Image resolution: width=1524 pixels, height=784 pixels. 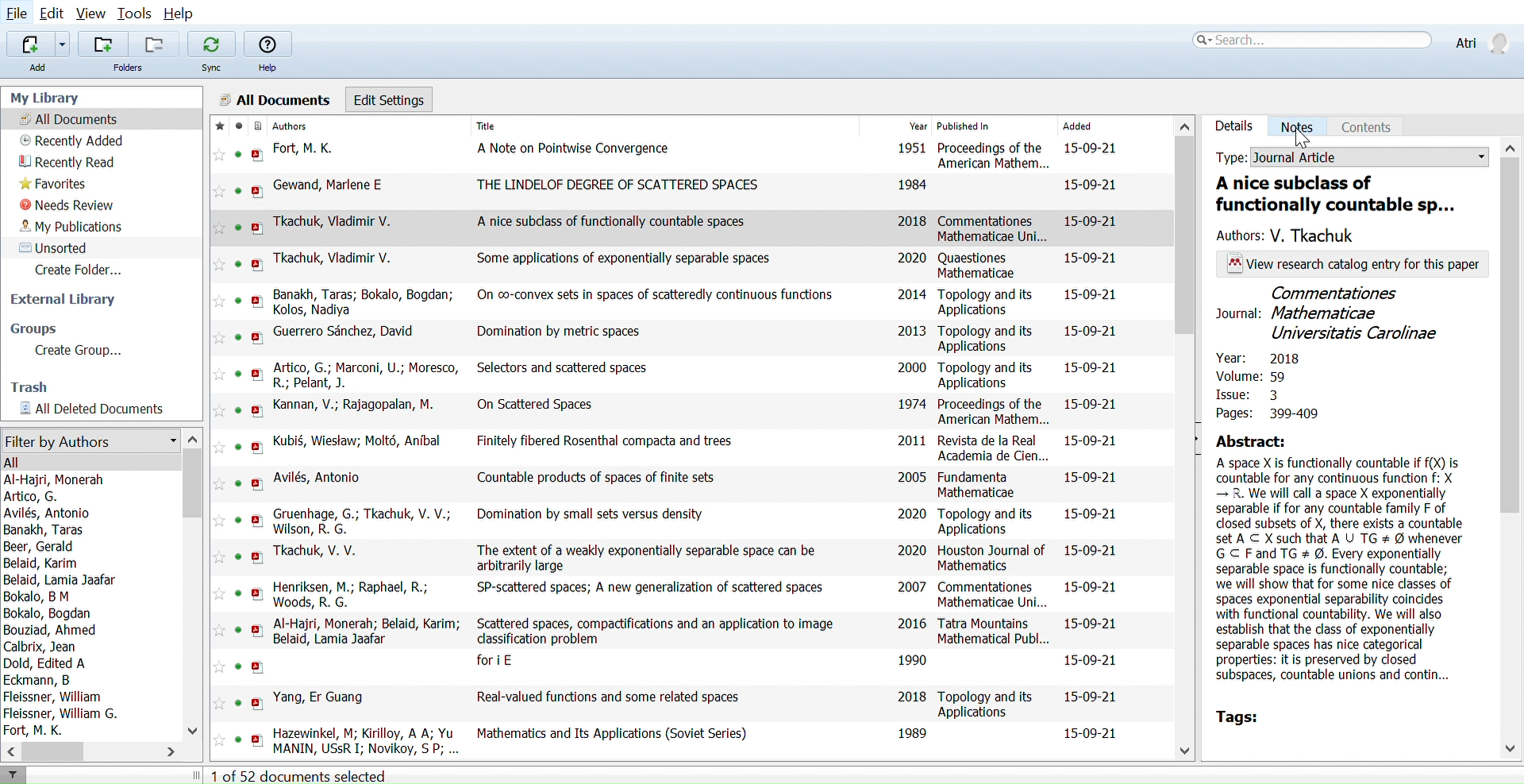 I want to click on 15-09-21, so click(x=1095, y=733).